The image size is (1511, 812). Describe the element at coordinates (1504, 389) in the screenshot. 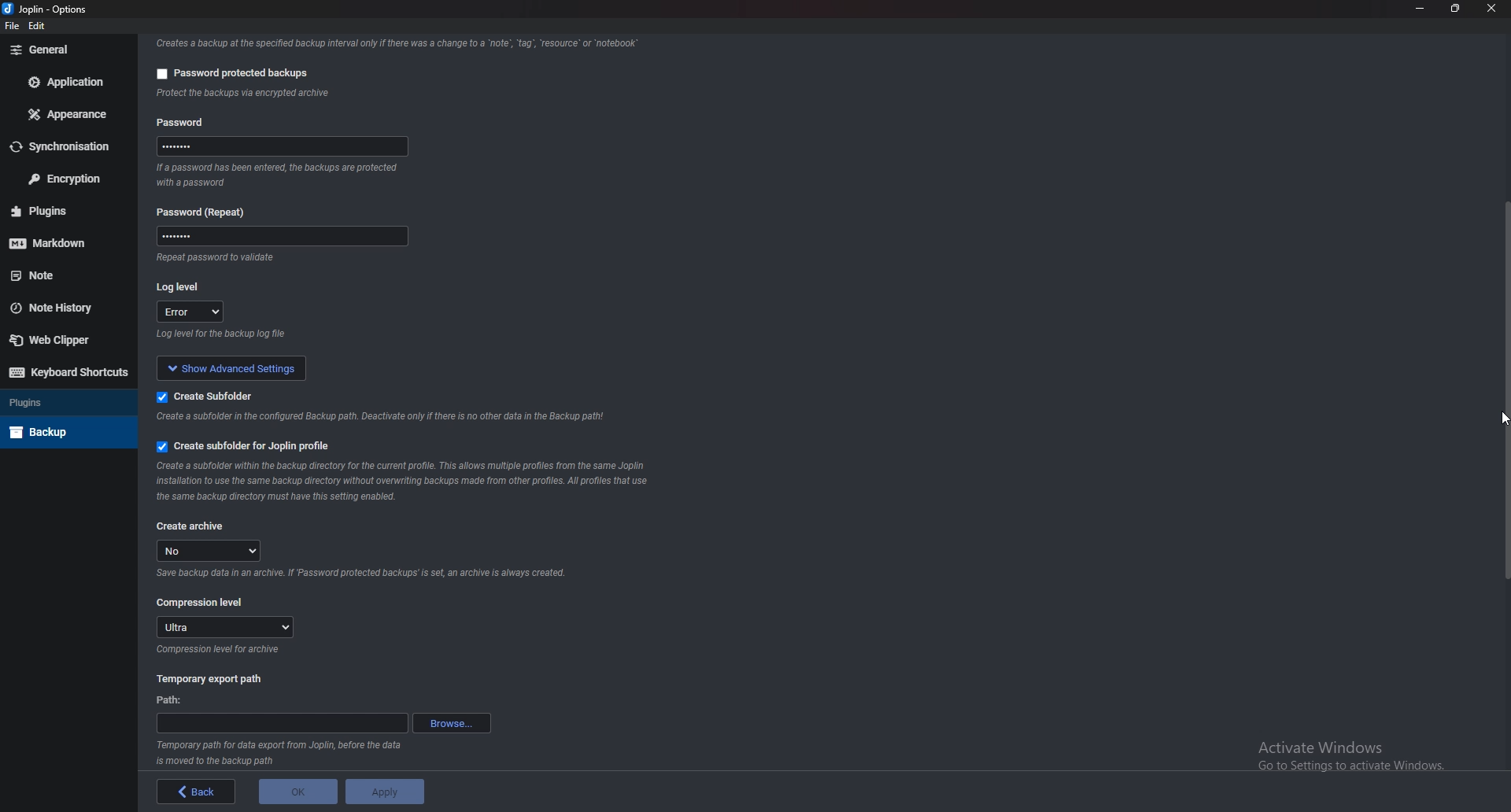

I see `Scroll bar` at that location.